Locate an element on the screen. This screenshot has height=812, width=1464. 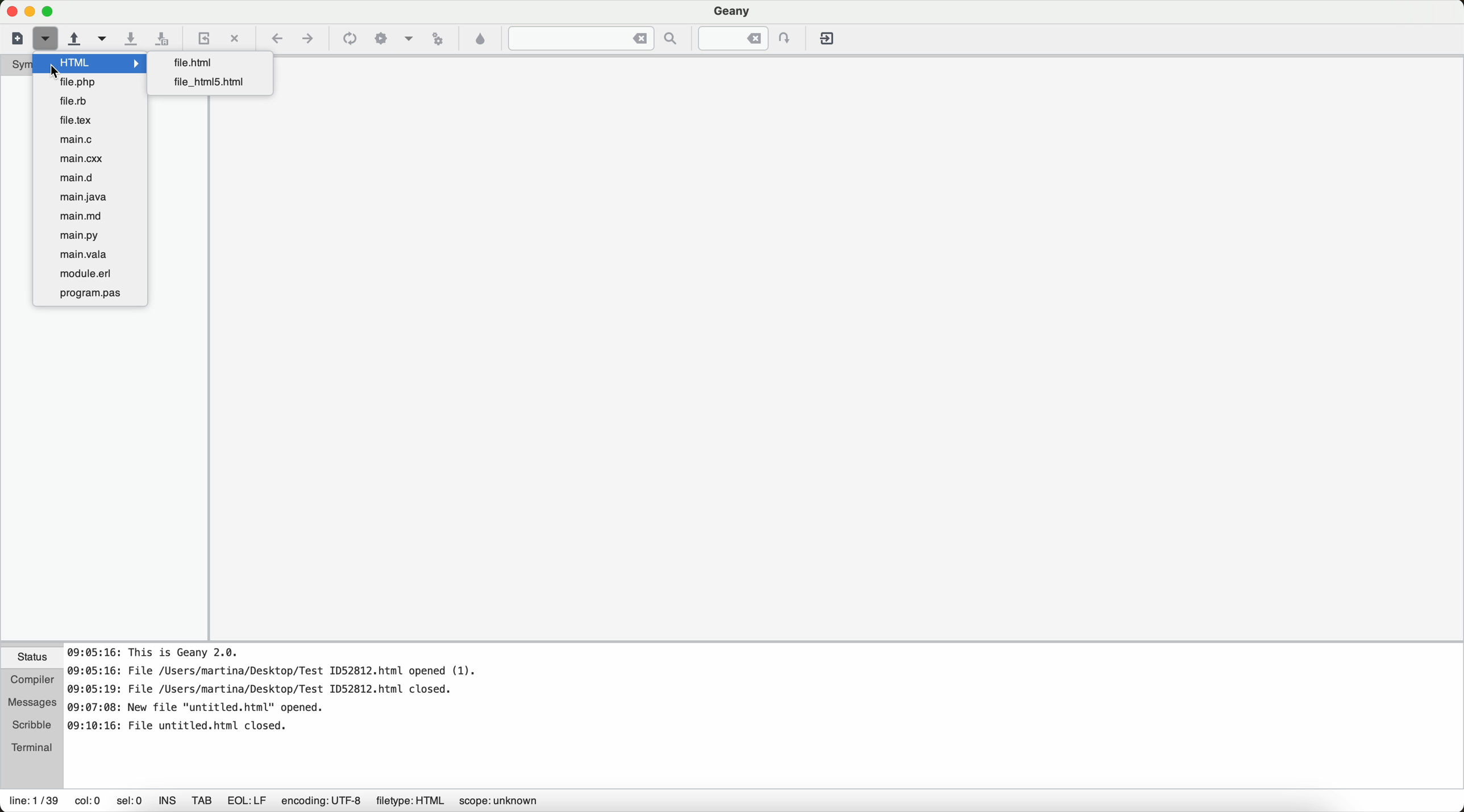
save all open files is located at coordinates (162, 41).